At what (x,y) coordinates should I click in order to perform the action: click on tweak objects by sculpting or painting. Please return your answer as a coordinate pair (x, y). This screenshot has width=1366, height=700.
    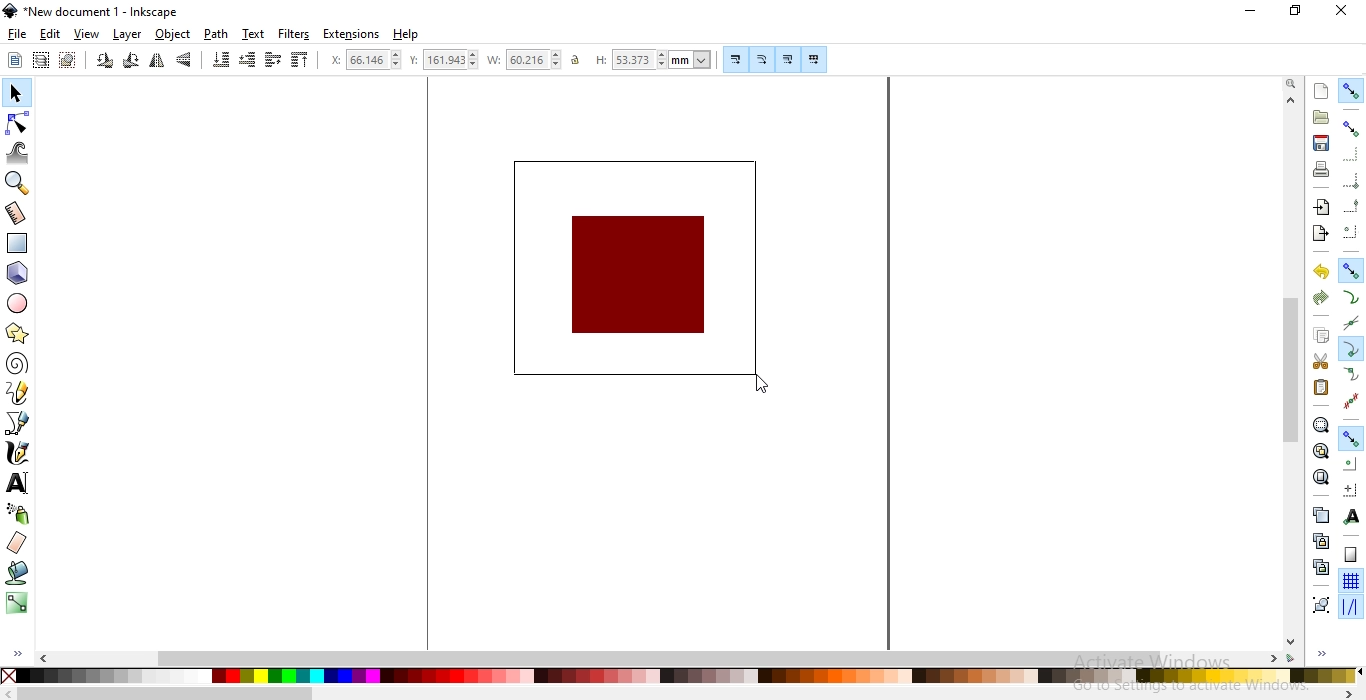
    Looking at the image, I should click on (20, 152).